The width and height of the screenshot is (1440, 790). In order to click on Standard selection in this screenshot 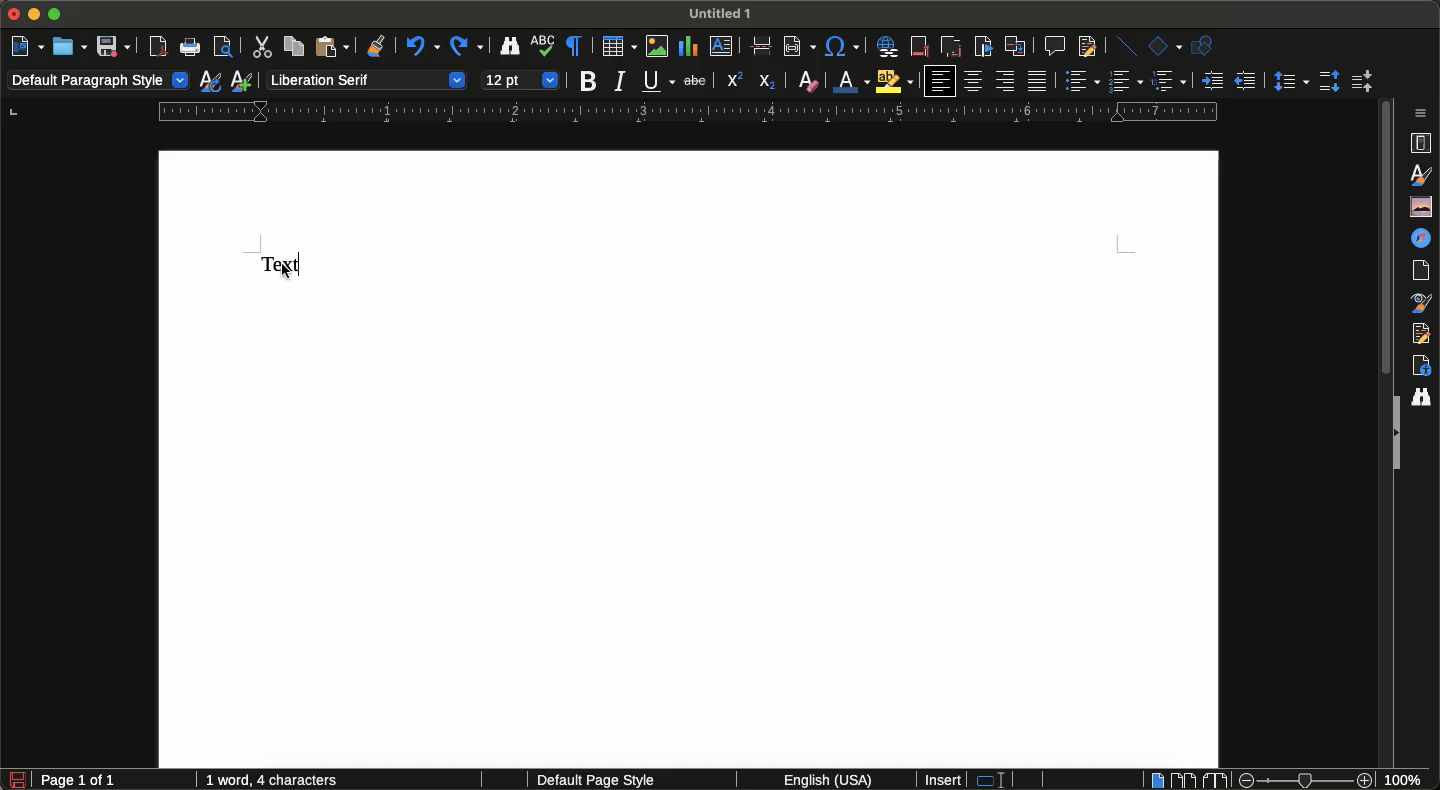, I will do `click(999, 781)`.